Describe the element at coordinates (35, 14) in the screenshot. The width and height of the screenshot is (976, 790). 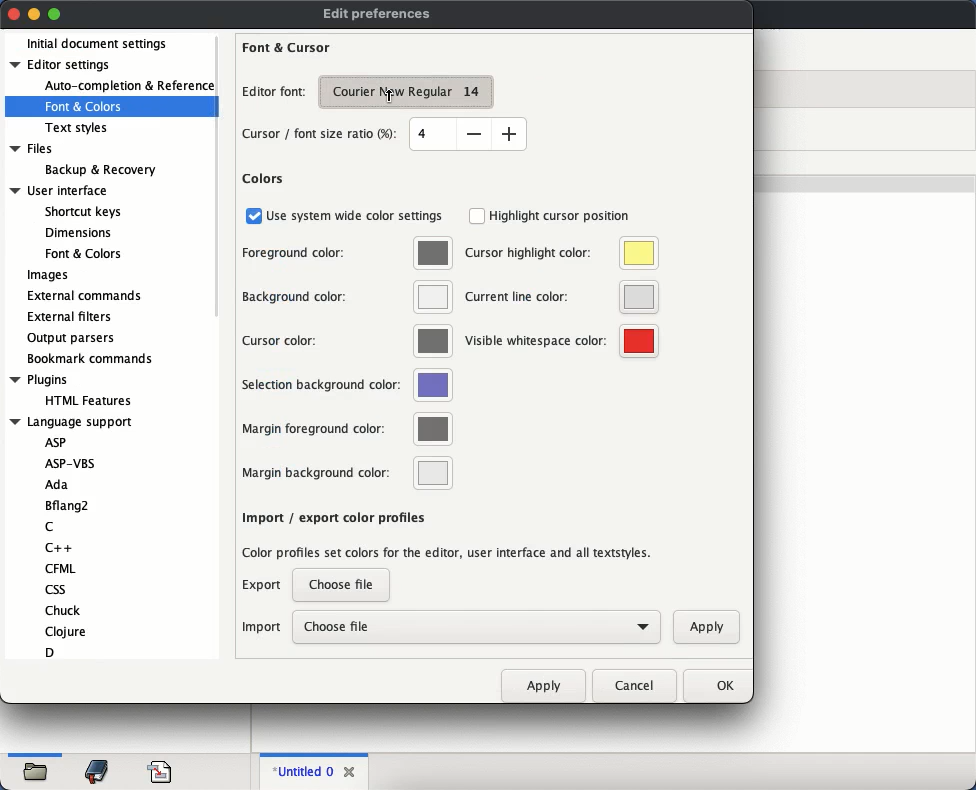
I see `minimize` at that location.